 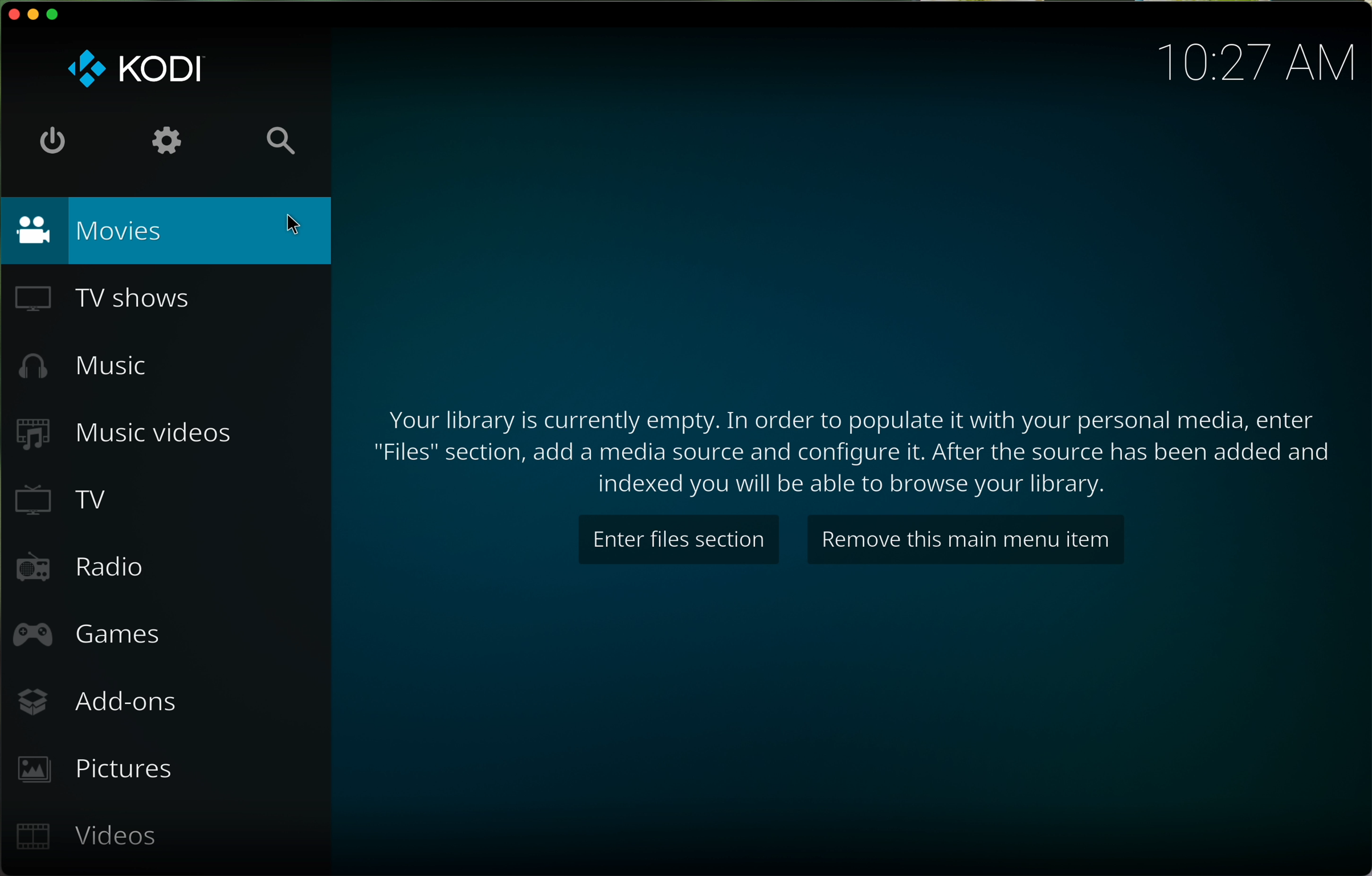 I want to click on settings, so click(x=165, y=141).